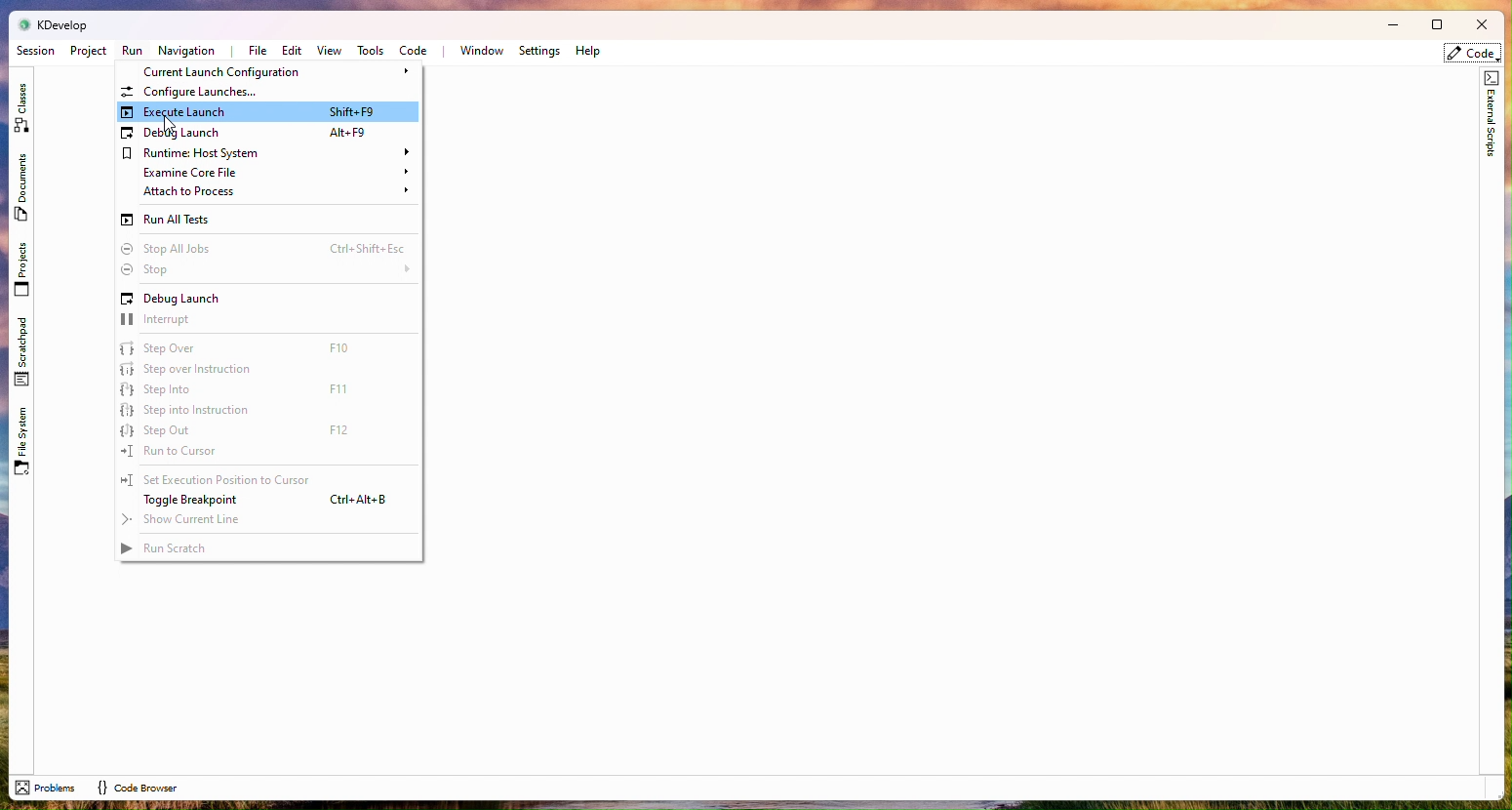 The image size is (1512, 810). I want to click on Show current line, so click(234, 520).